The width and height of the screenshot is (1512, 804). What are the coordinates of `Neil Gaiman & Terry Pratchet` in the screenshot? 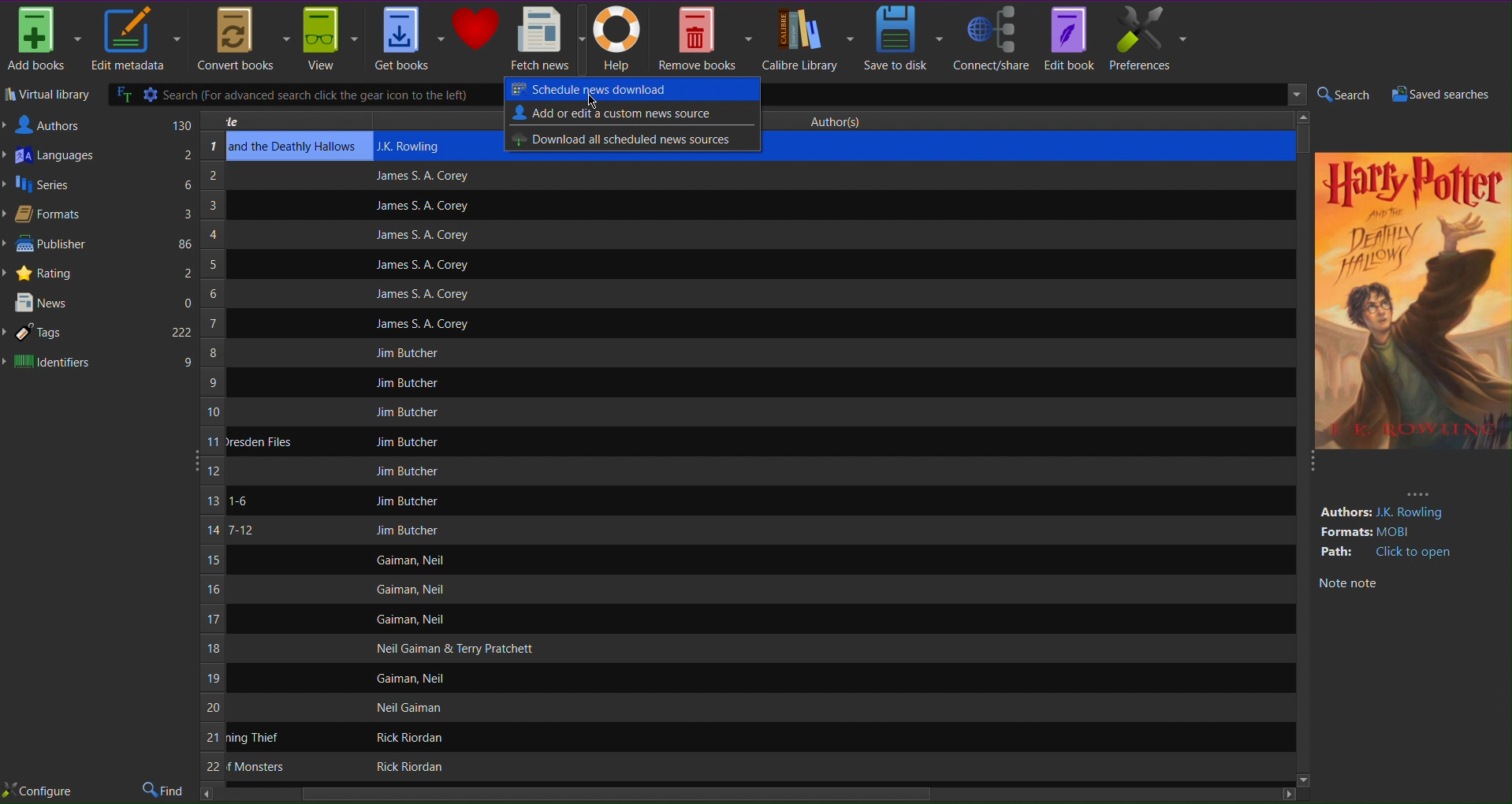 It's located at (452, 649).